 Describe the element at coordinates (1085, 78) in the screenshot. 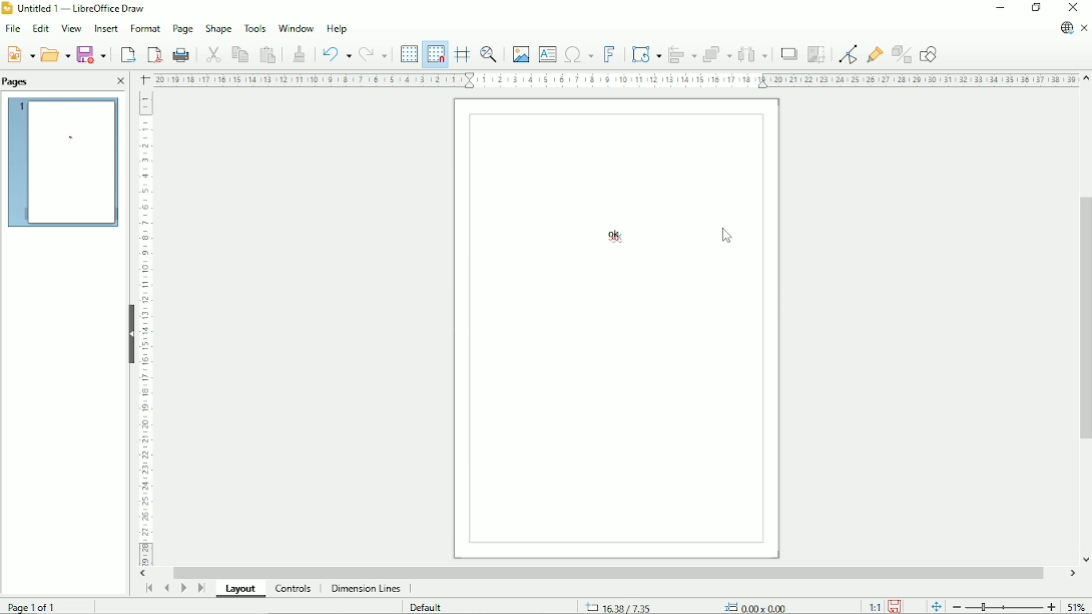

I see `Vertical scroll button` at that location.